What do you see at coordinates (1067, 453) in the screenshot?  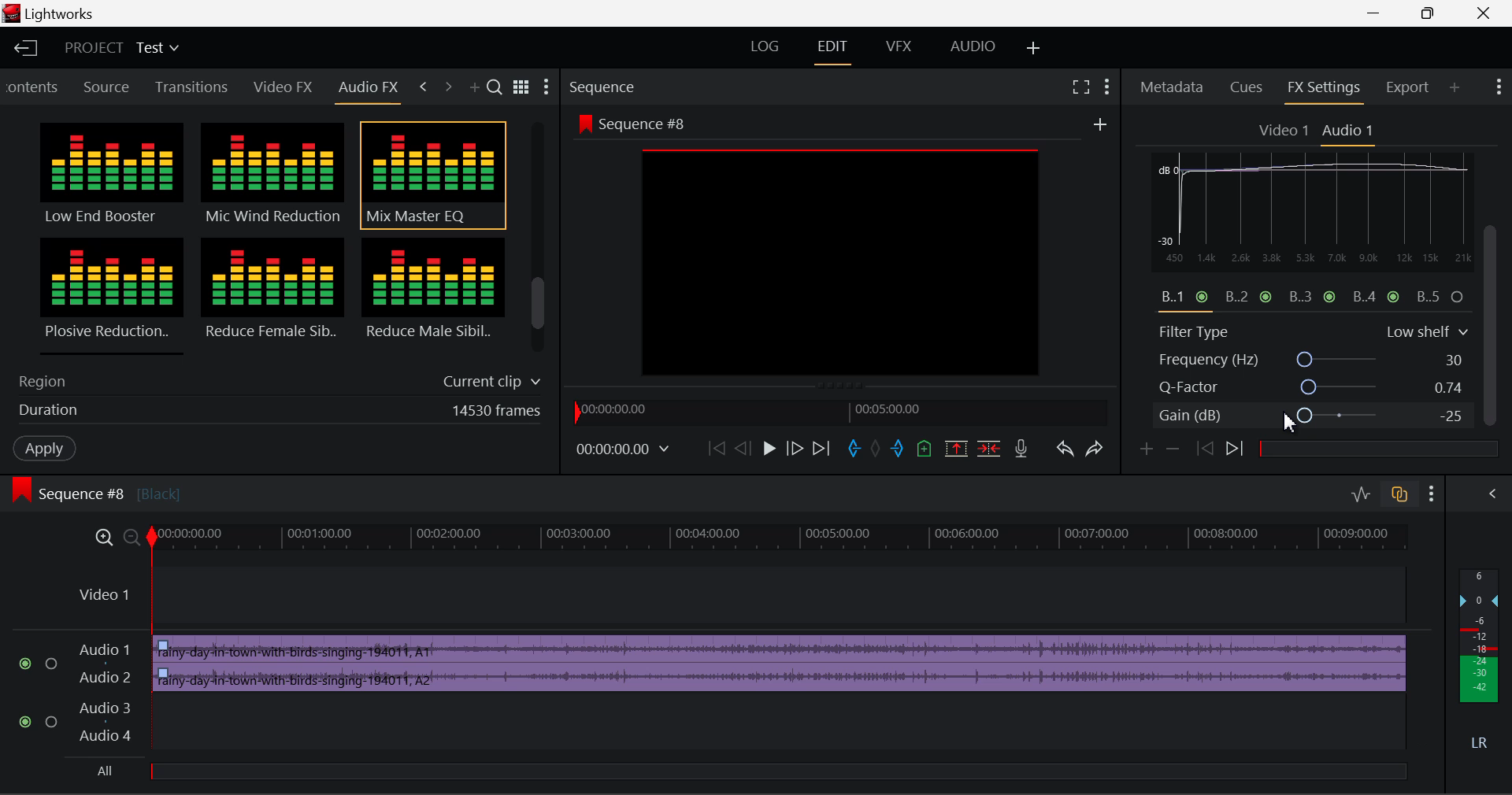 I see `Undo` at bounding box center [1067, 453].